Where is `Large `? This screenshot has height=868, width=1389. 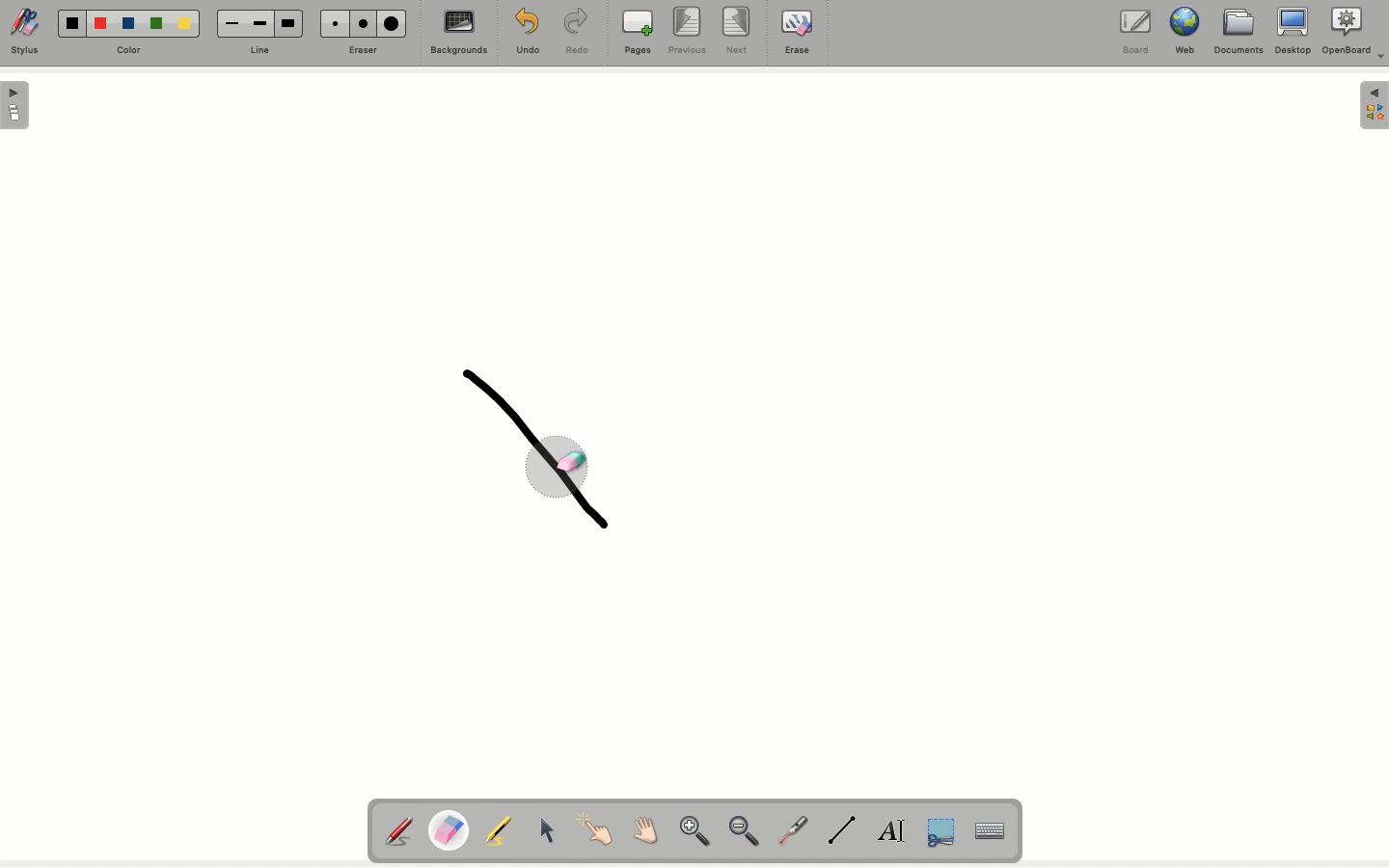 Large  is located at coordinates (395, 23).